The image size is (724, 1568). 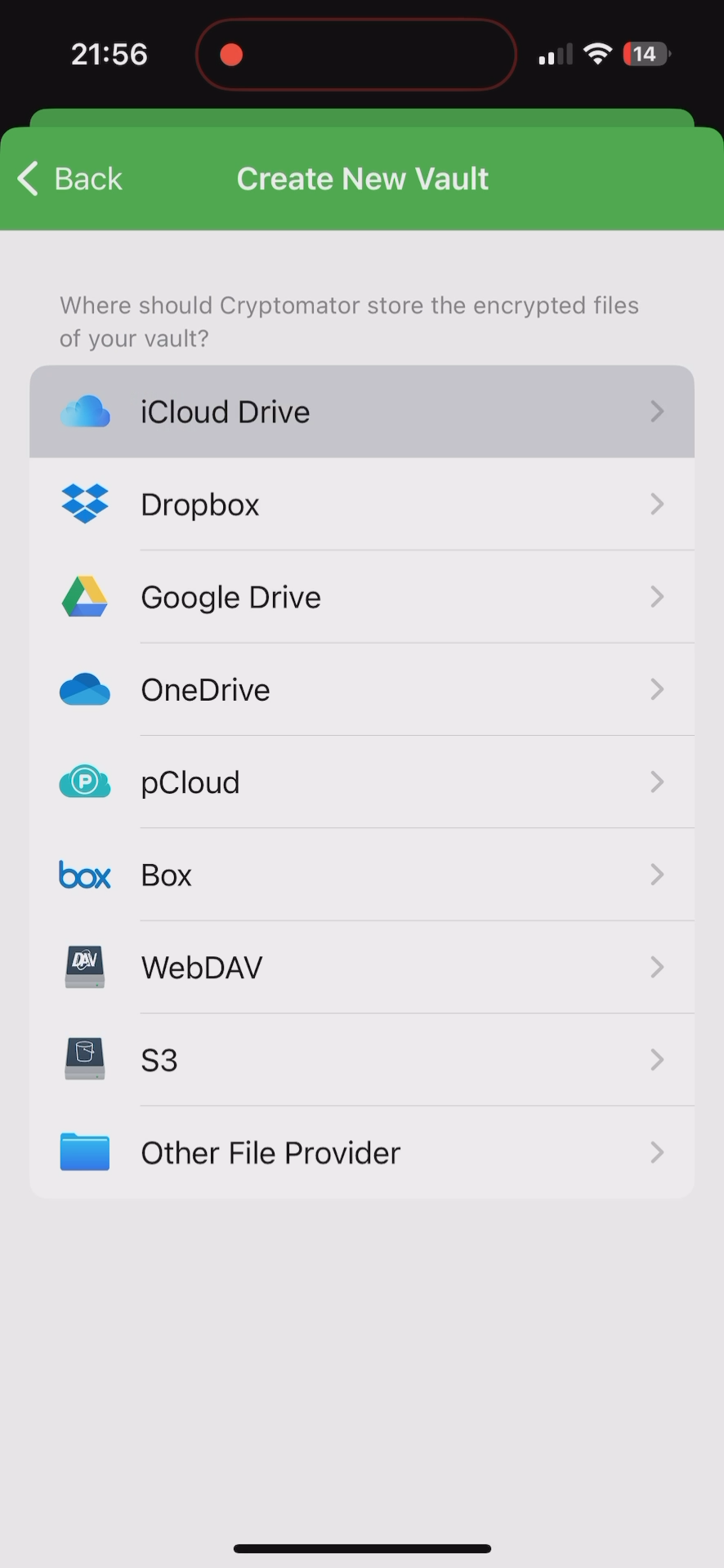 I want to click on wi-fi, so click(x=599, y=60).